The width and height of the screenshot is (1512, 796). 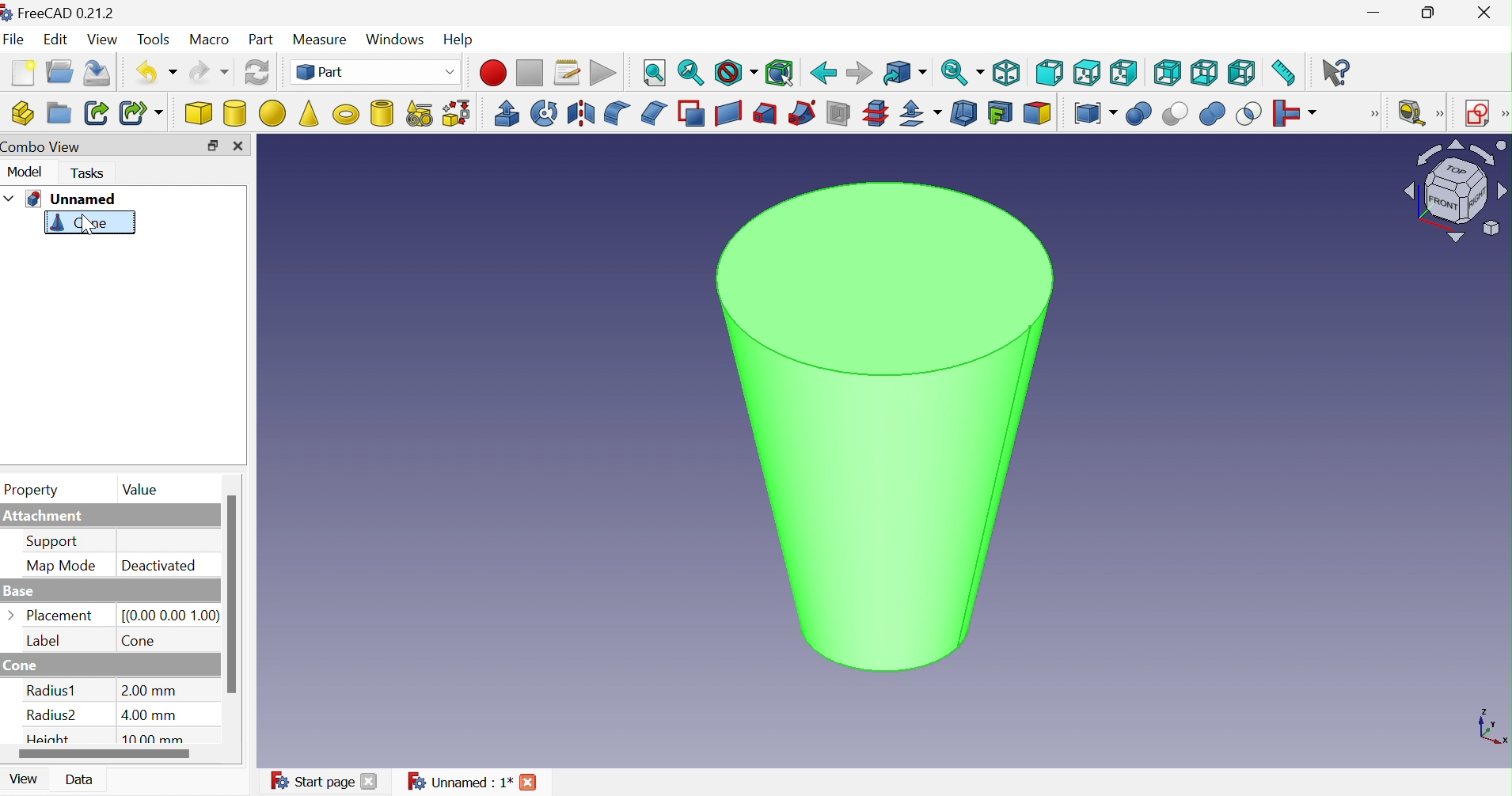 What do you see at coordinates (1428, 15) in the screenshot?
I see `Restore down` at bounding box center [1428, 15].